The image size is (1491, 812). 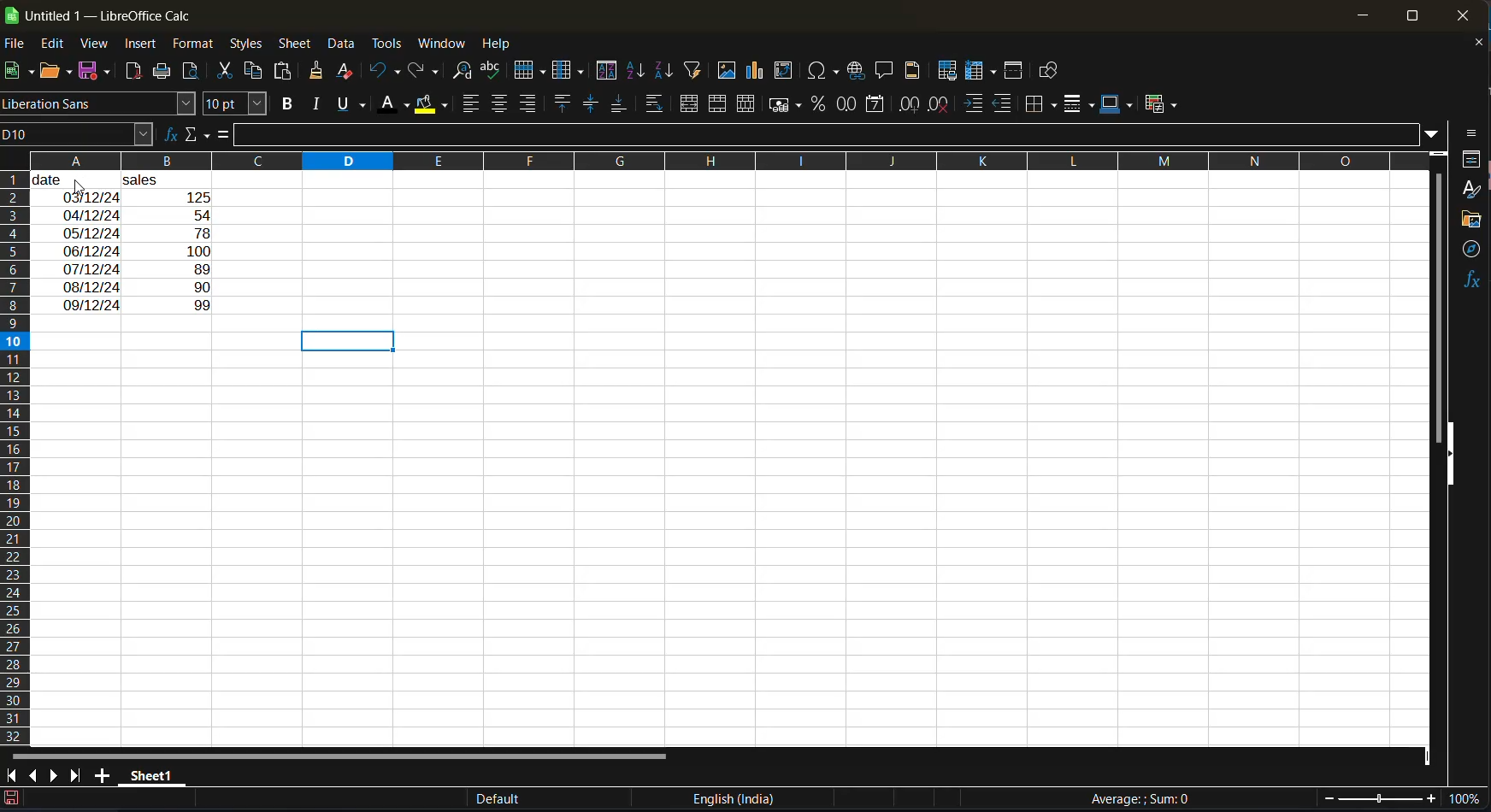 I want to click on format as date, so click(x=880, y=105).